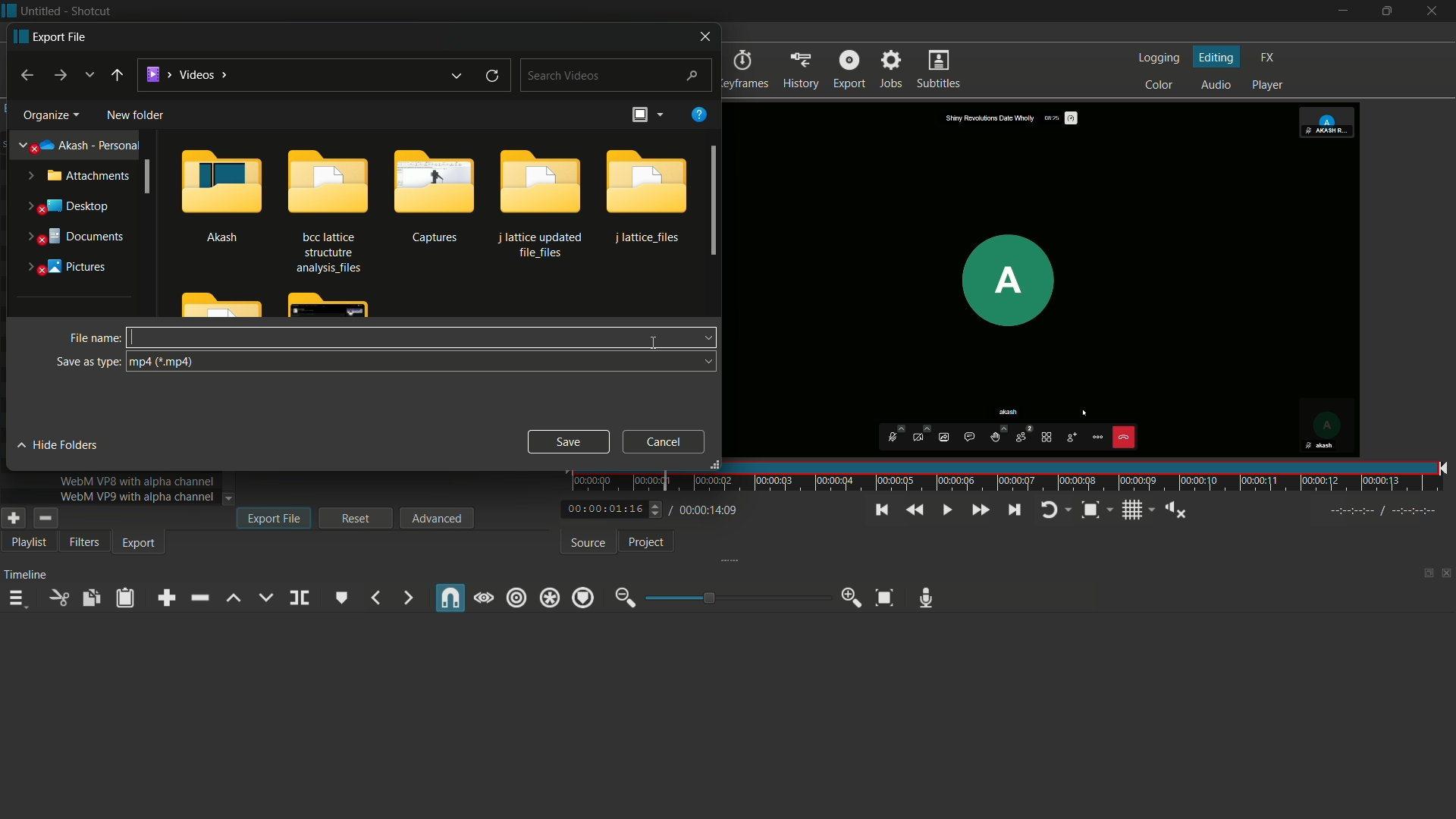 The image size is (1456, 819). What do you see at coordinates (234, 598) in the screenshot?
I see `lift` at bounding box center [234, 598].